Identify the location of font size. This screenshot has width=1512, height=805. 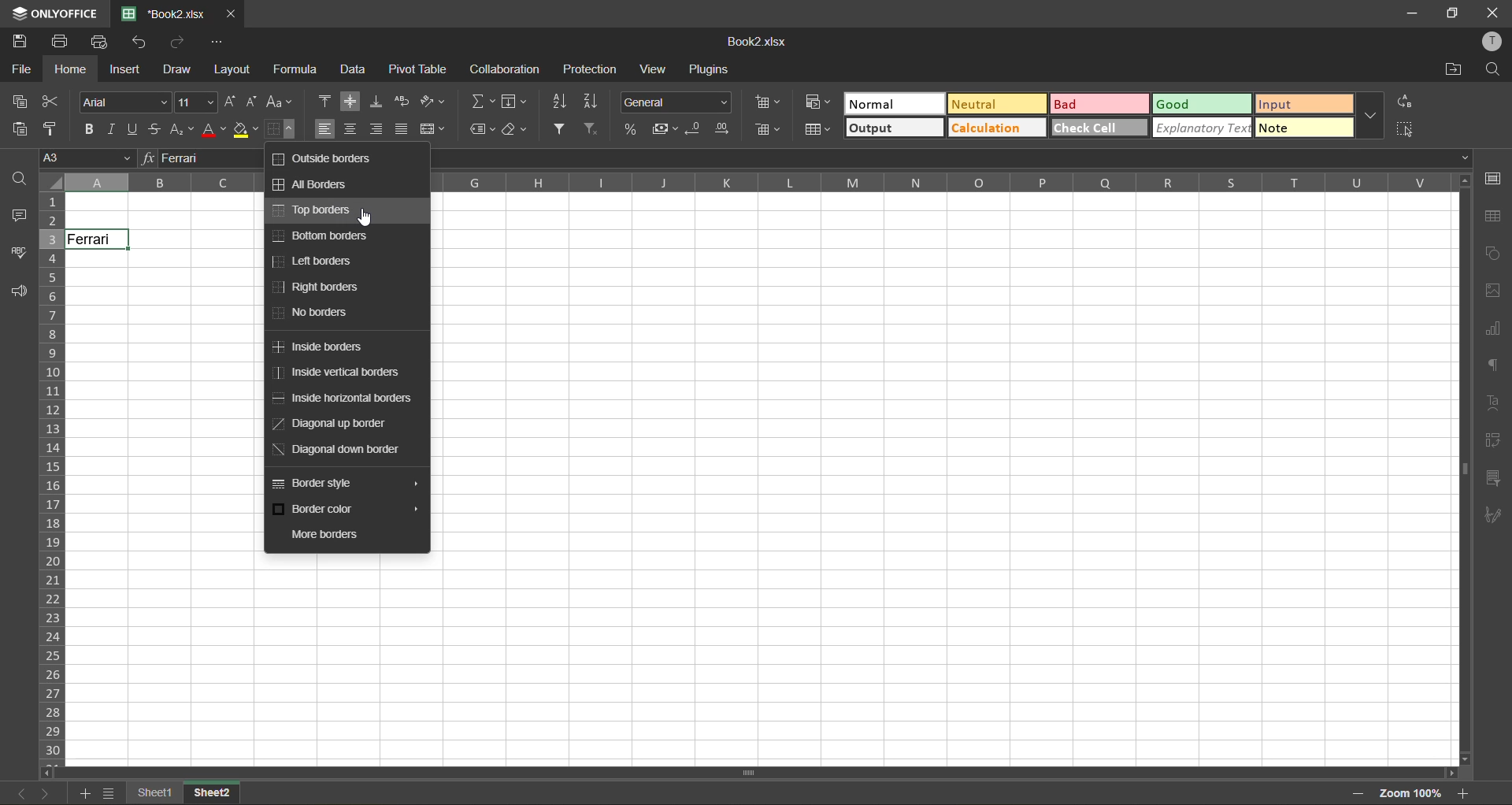
(198, 101).